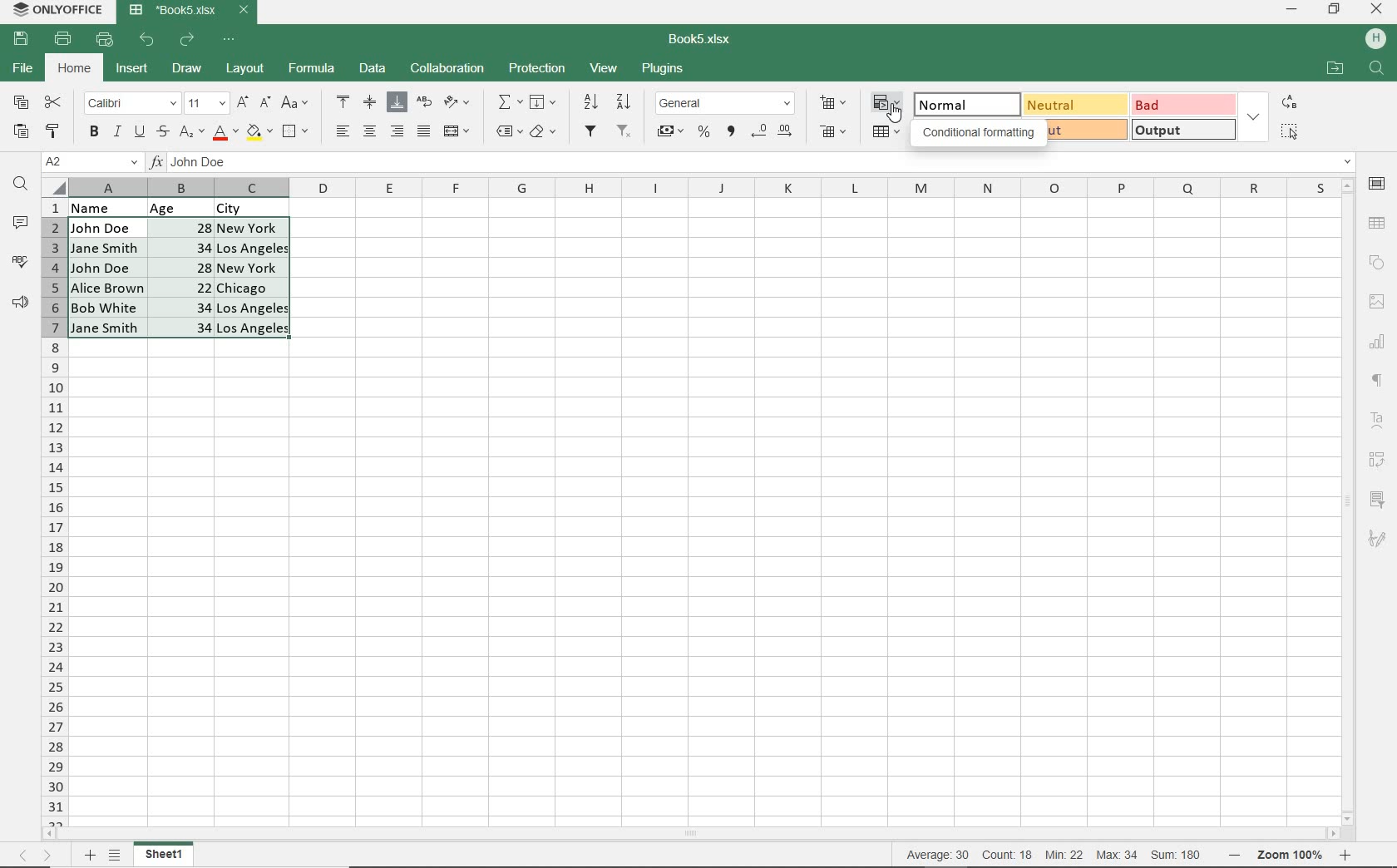 Image resolution: width=1397 pixels, height=868 pixels. What do you see at coordinates (165, 855) in the screenshot?
I see `sheet 1` at bounding box center [165, 855].